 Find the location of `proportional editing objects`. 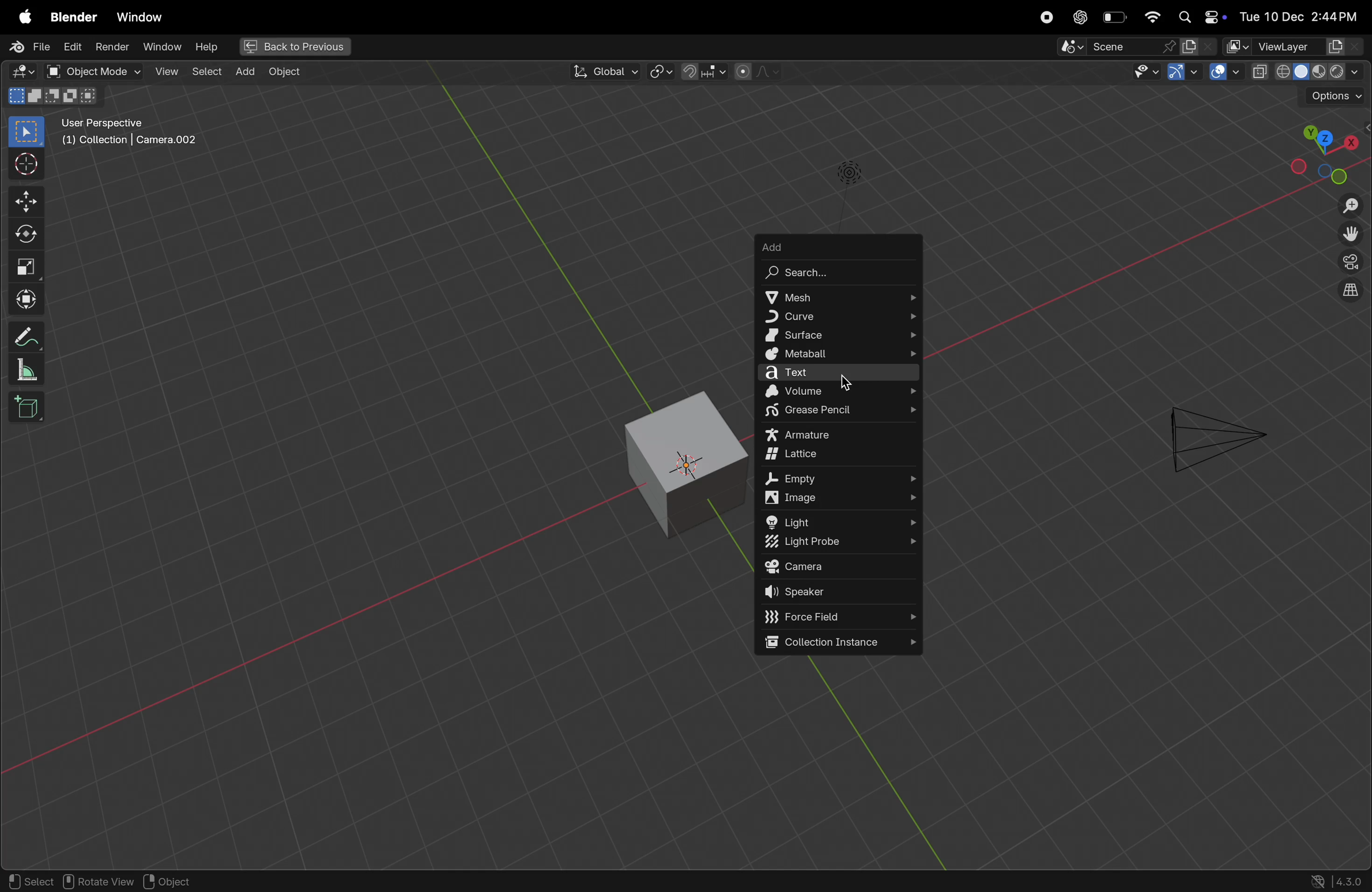

proportional editing objects is located at coordinates (758, 73).